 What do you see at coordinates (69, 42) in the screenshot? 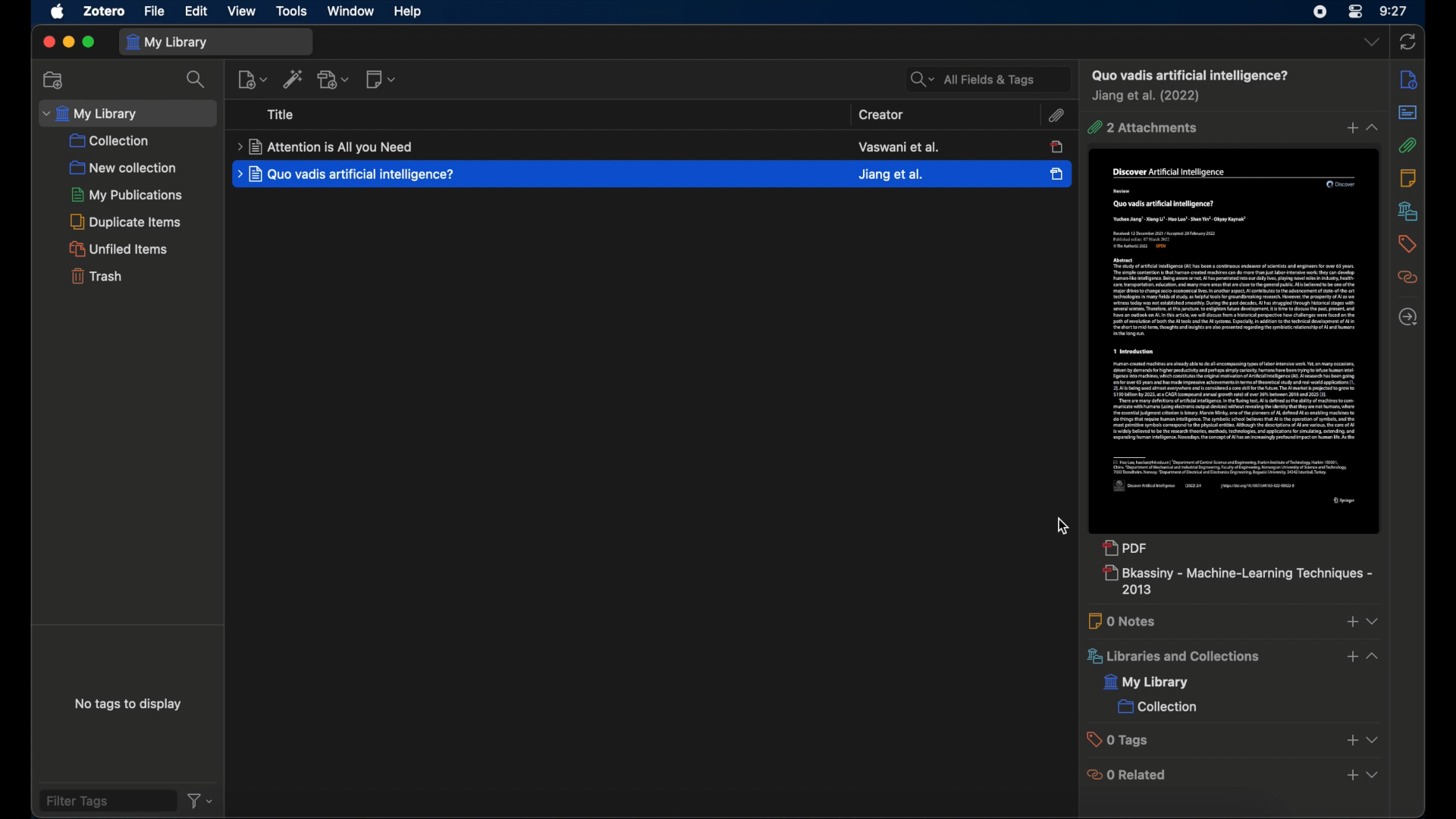
I see `minimize` at bounding box center [69, 42].